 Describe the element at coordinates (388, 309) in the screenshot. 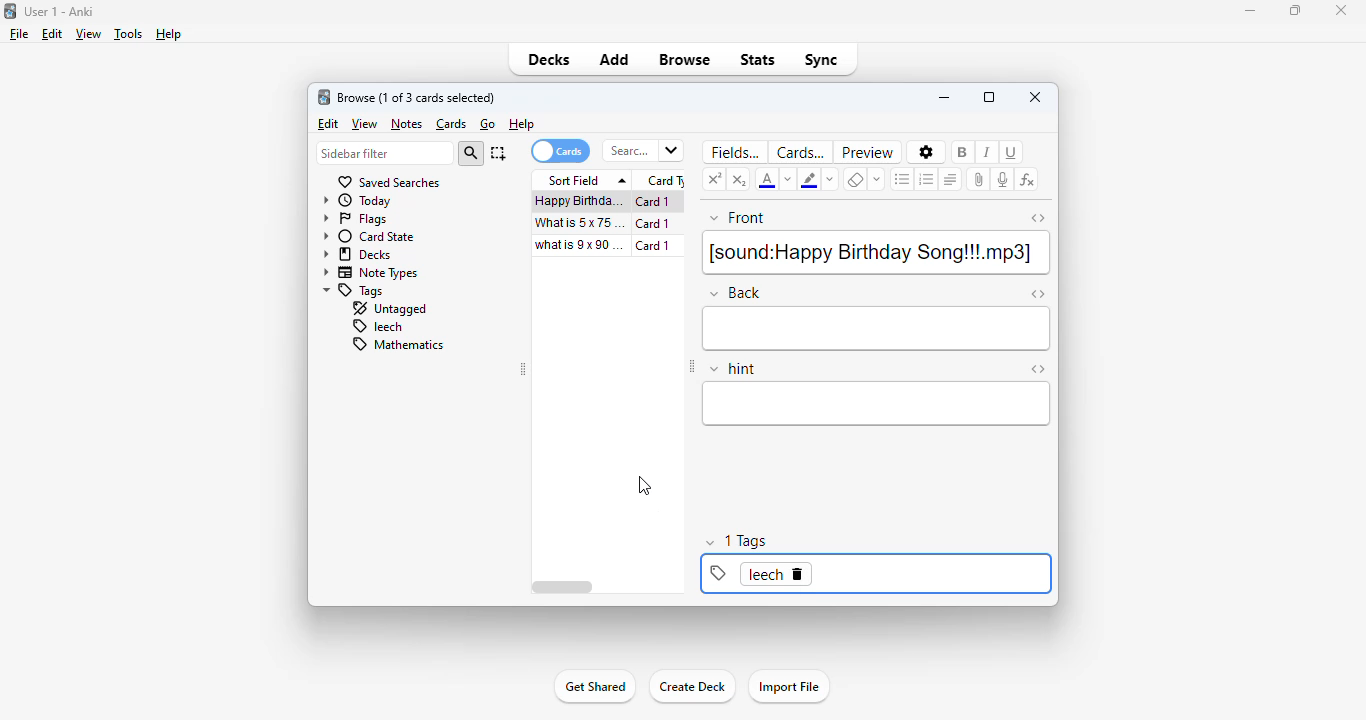

I see `untagged` at that location.